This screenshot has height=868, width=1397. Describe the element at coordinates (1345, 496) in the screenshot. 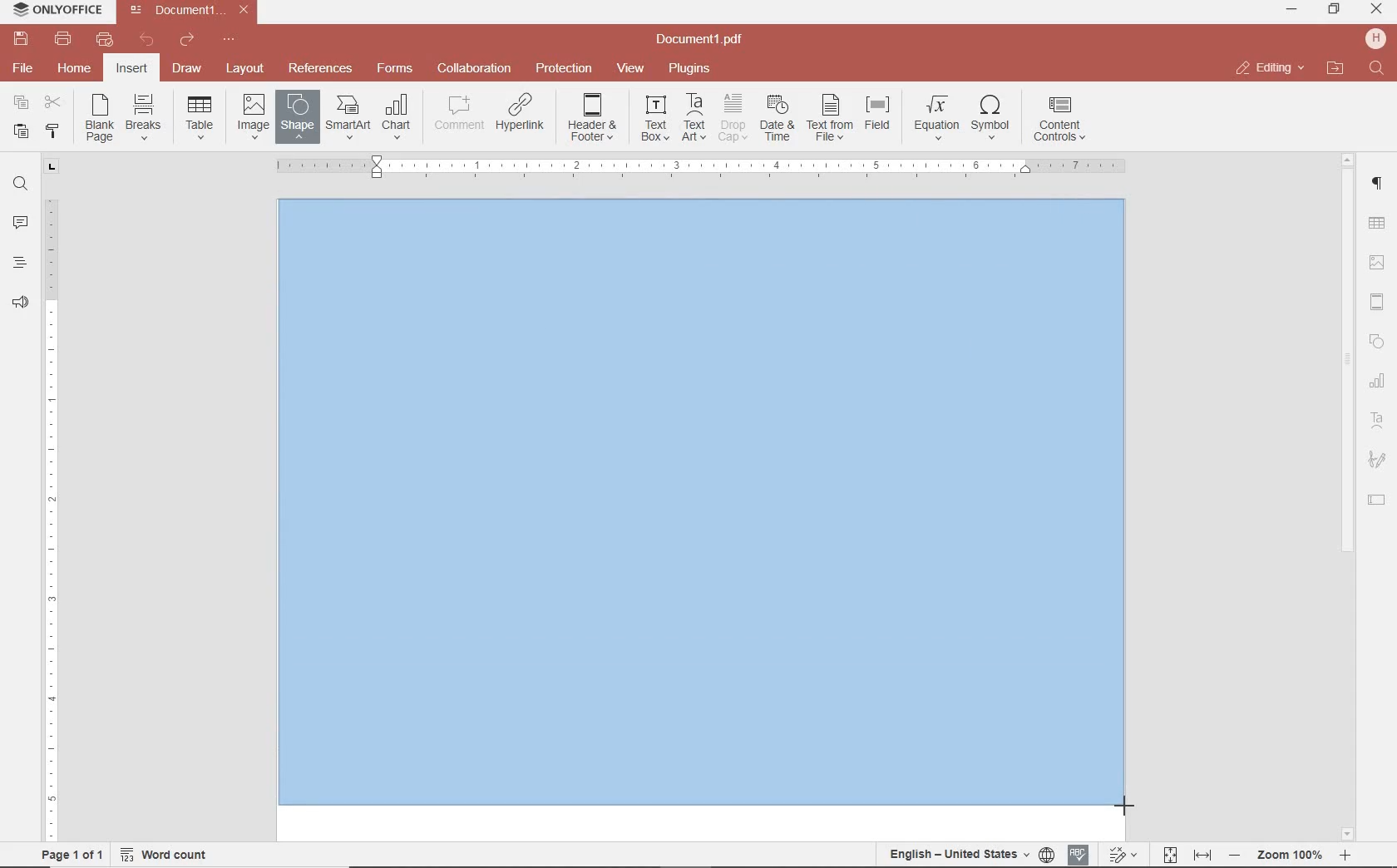

I see `scrollbar` at that location.